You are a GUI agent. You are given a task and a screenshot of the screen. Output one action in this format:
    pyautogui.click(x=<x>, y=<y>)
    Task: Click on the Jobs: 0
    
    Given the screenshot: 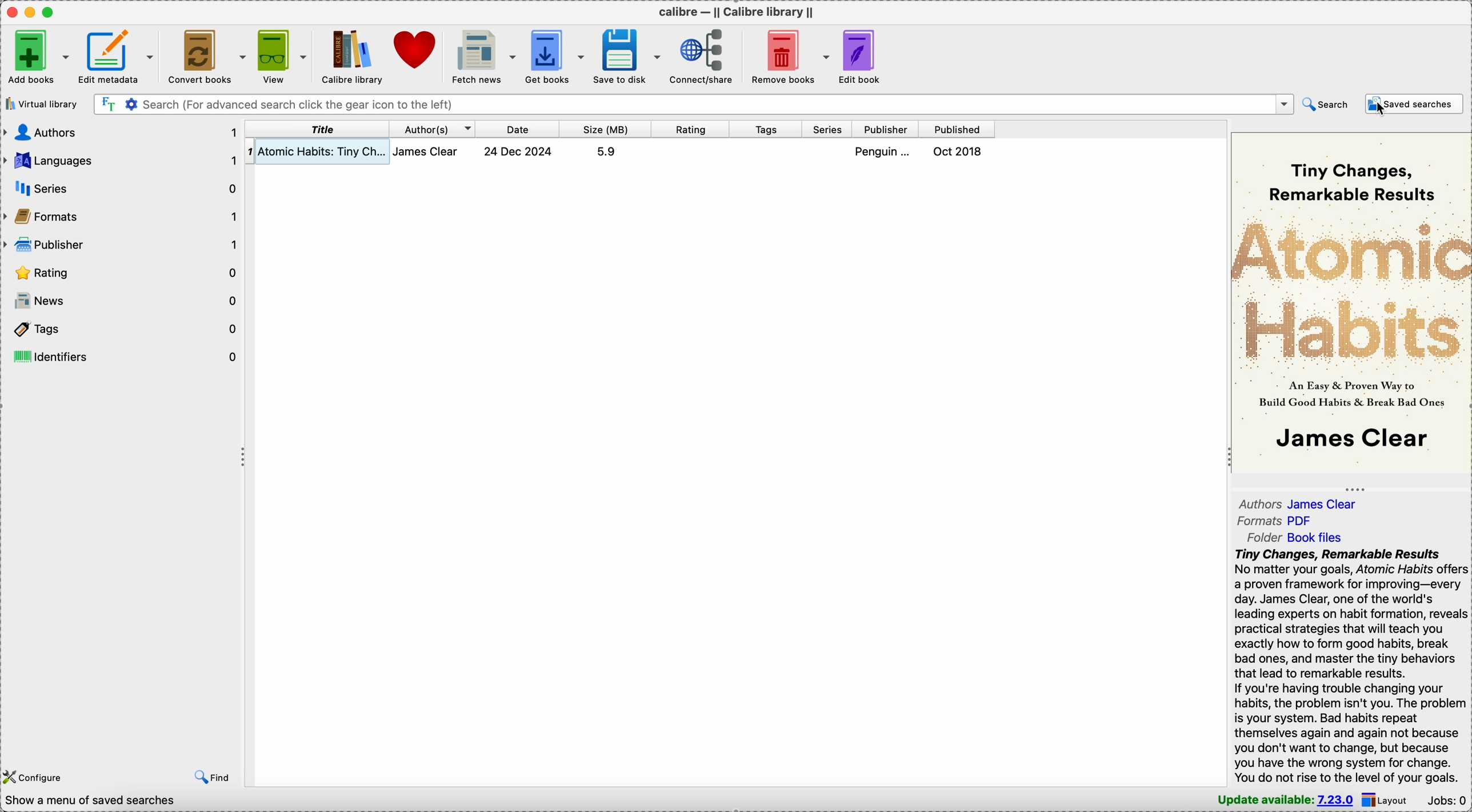 What is the action you would take?
    pyautogui.click(x=1448, y=799)
    